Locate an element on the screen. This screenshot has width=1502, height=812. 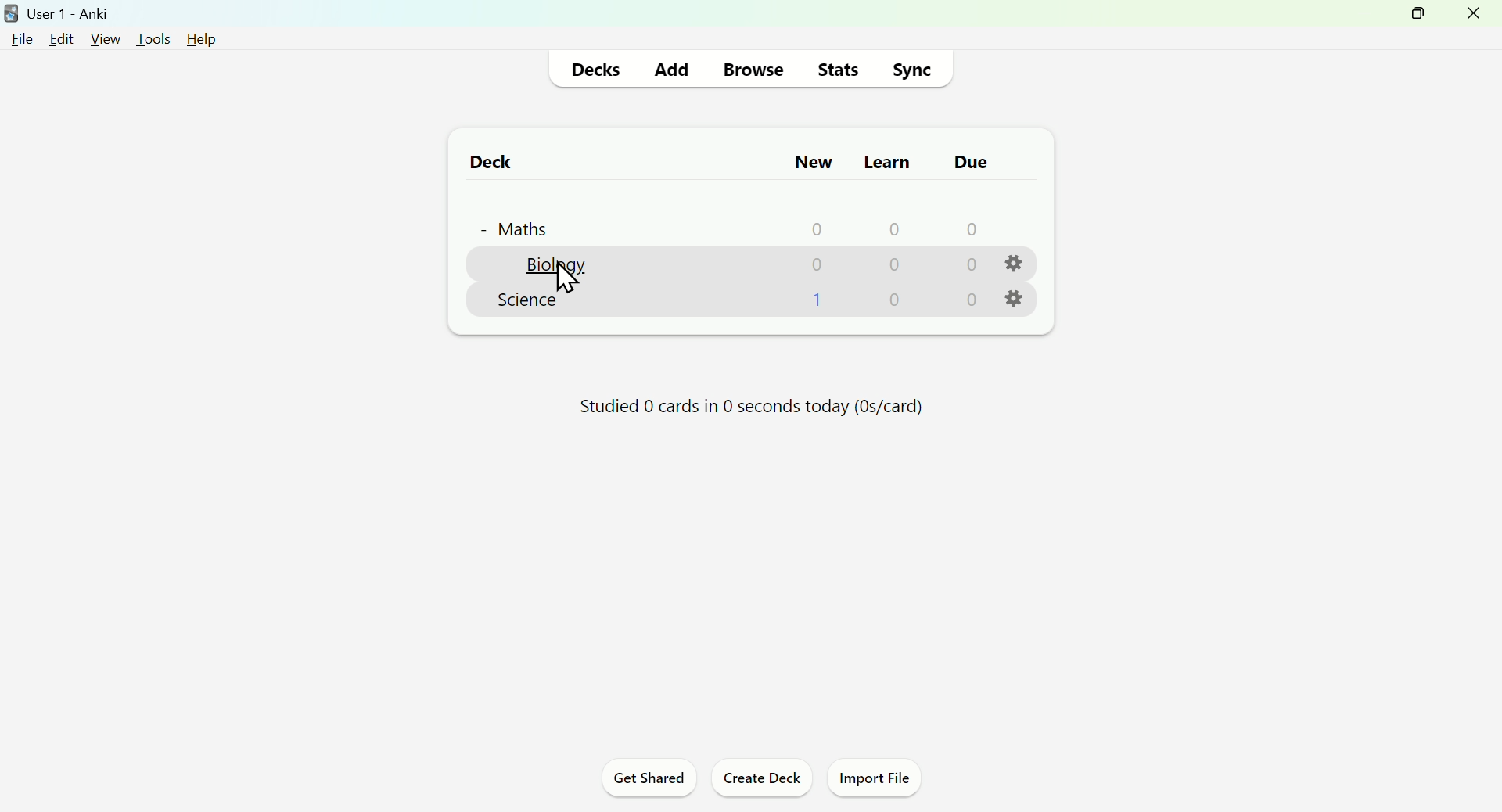
0 is located at coordinates (894, 302).